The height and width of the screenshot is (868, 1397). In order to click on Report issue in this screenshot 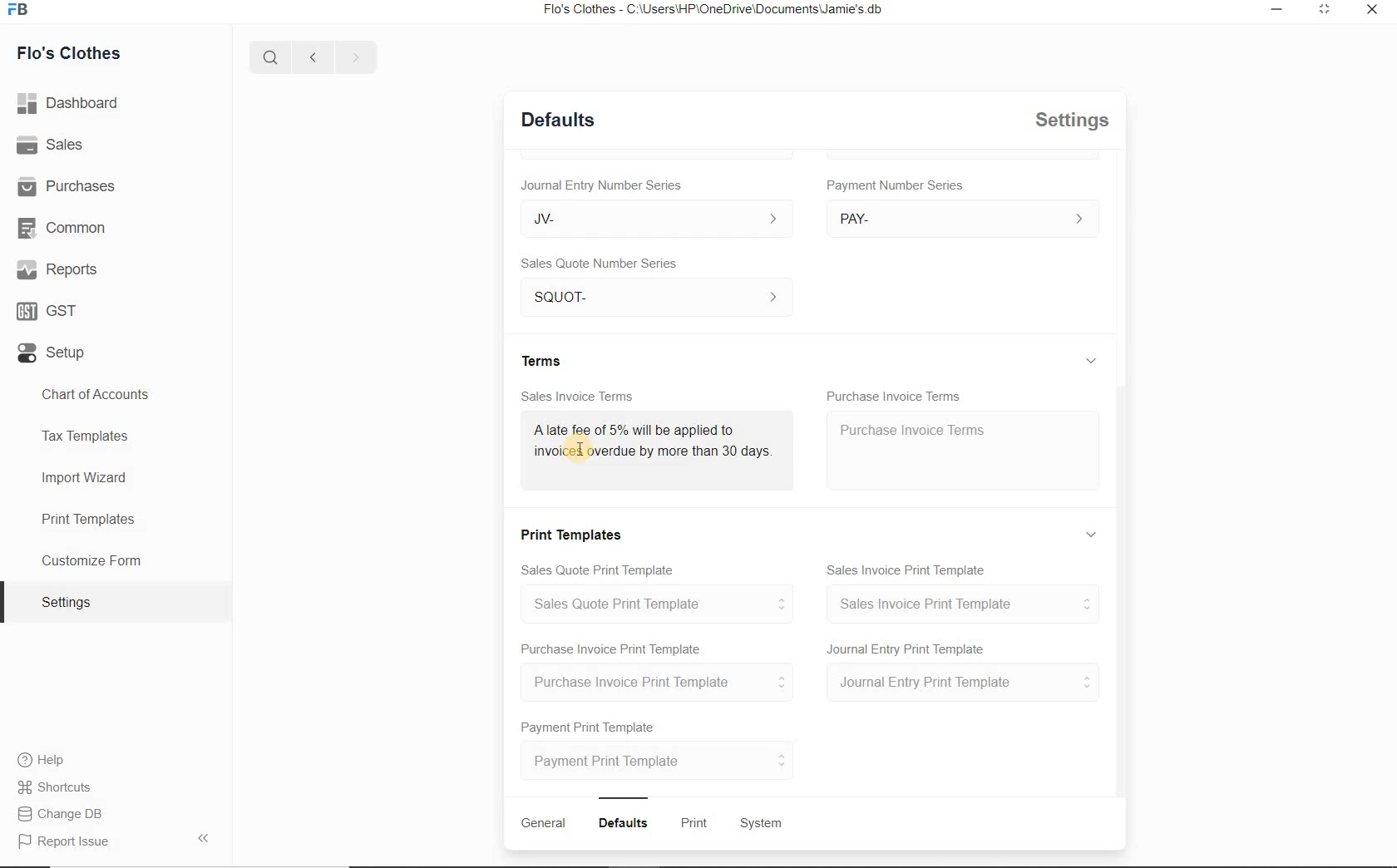, I will do `click(65, 842)`.